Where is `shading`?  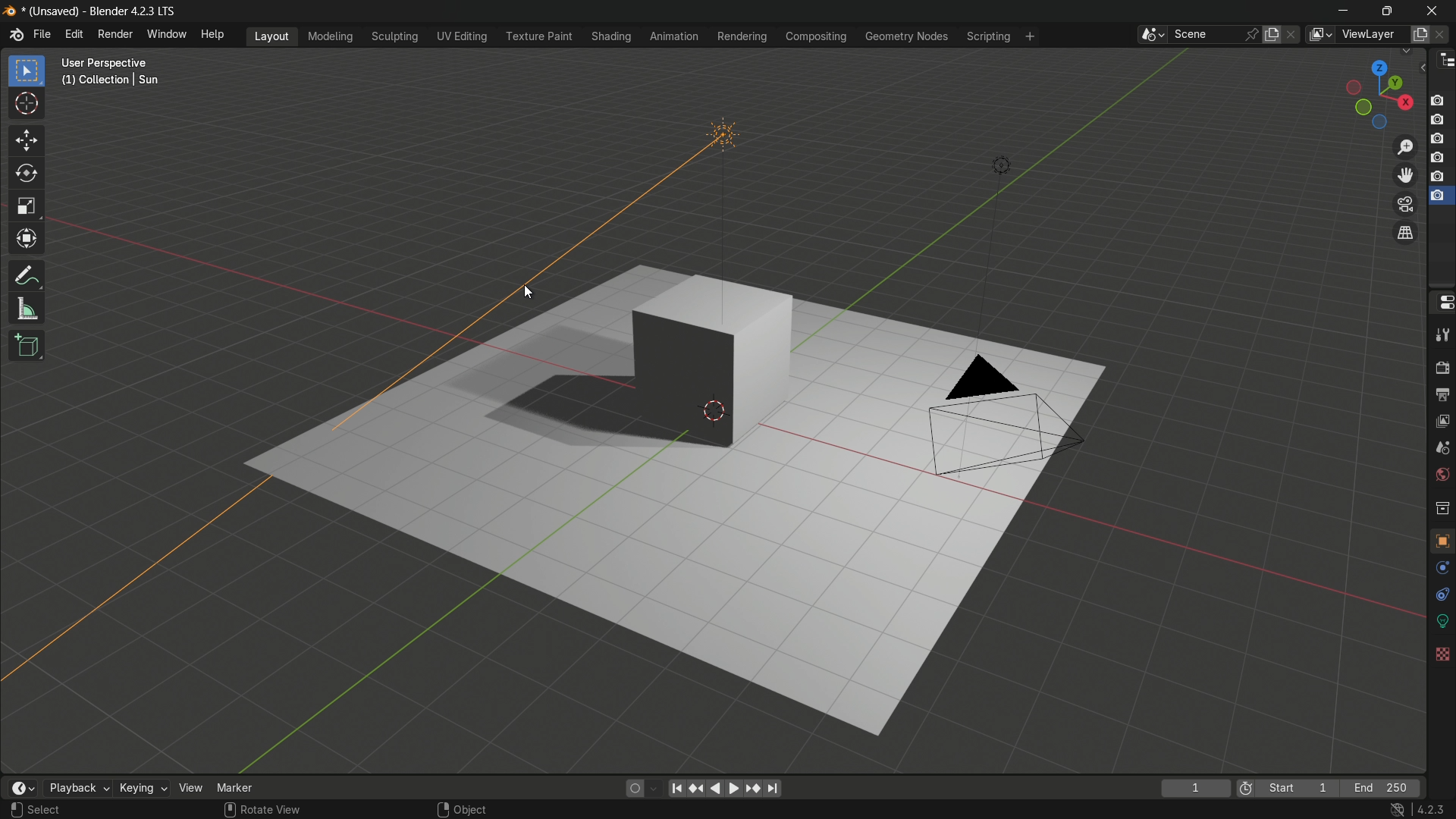 shading is located at coordinates (614, 36).